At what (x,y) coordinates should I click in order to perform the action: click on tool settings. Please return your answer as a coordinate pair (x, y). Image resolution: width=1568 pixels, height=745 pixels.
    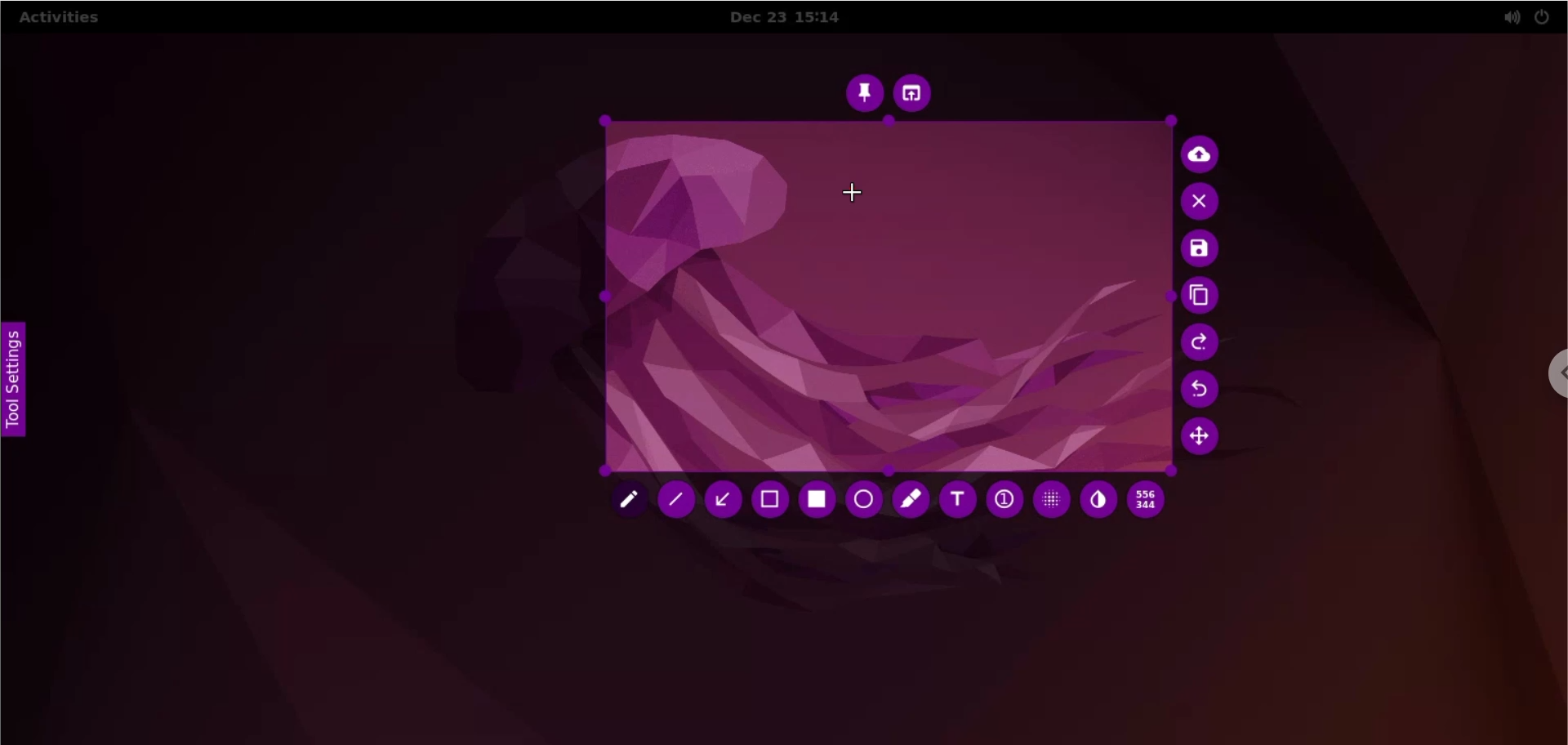
    Looking at the image, I should click on (16, 383).